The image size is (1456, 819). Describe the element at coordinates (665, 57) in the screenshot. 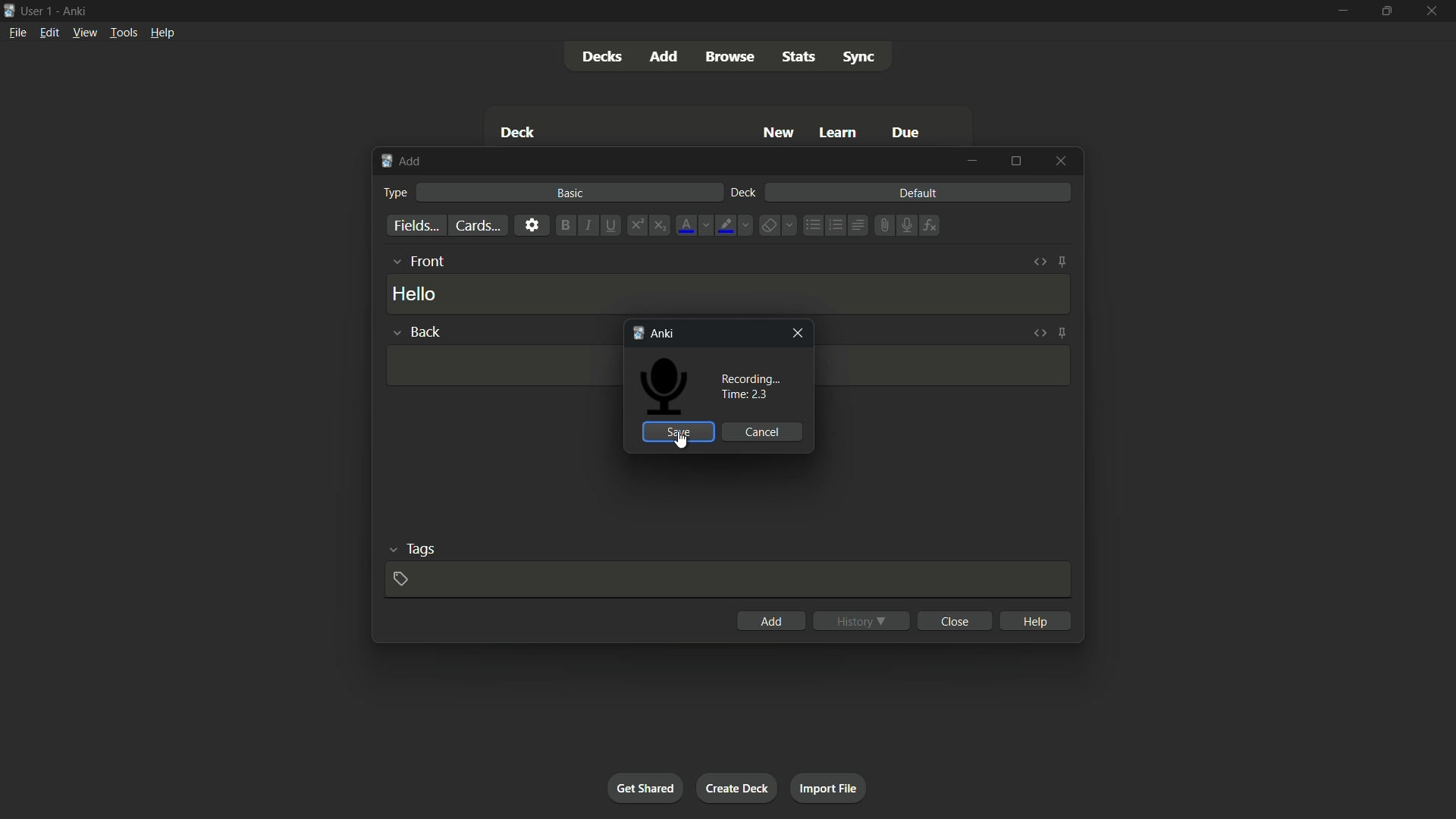

I see `add` at that location.